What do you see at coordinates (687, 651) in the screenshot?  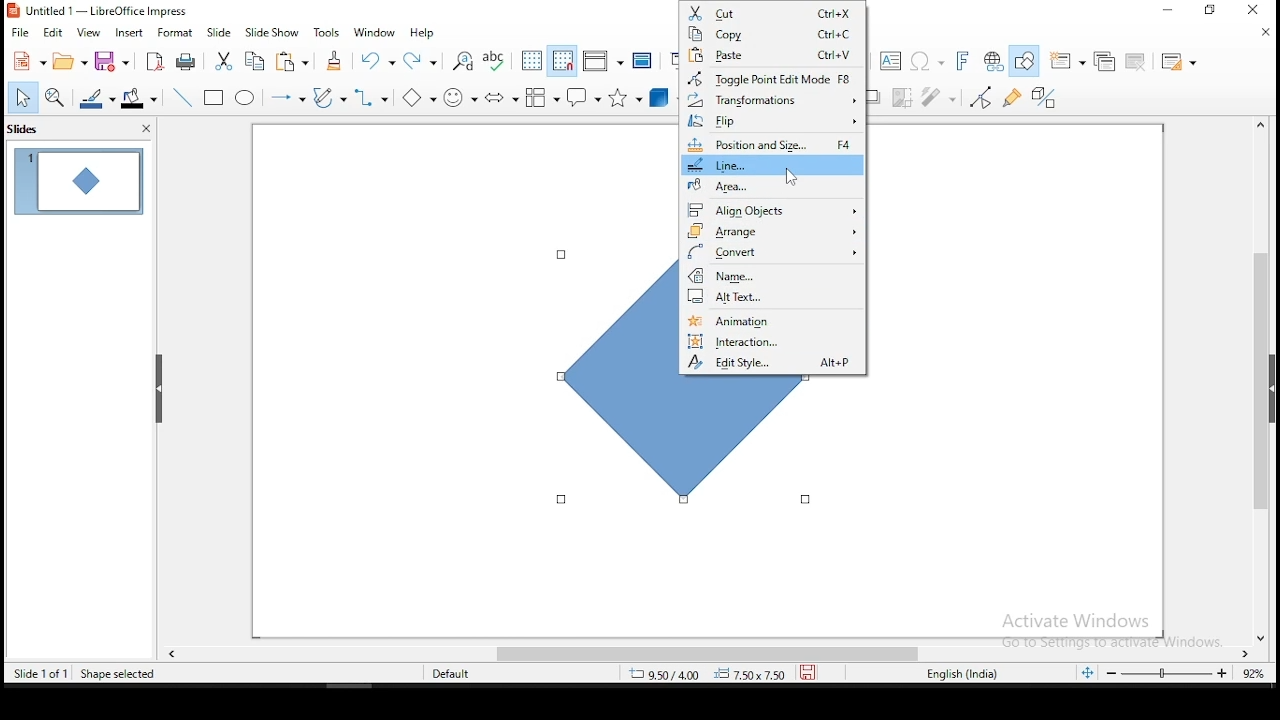 I see `scroll bar` at bounding box center [687, 651].